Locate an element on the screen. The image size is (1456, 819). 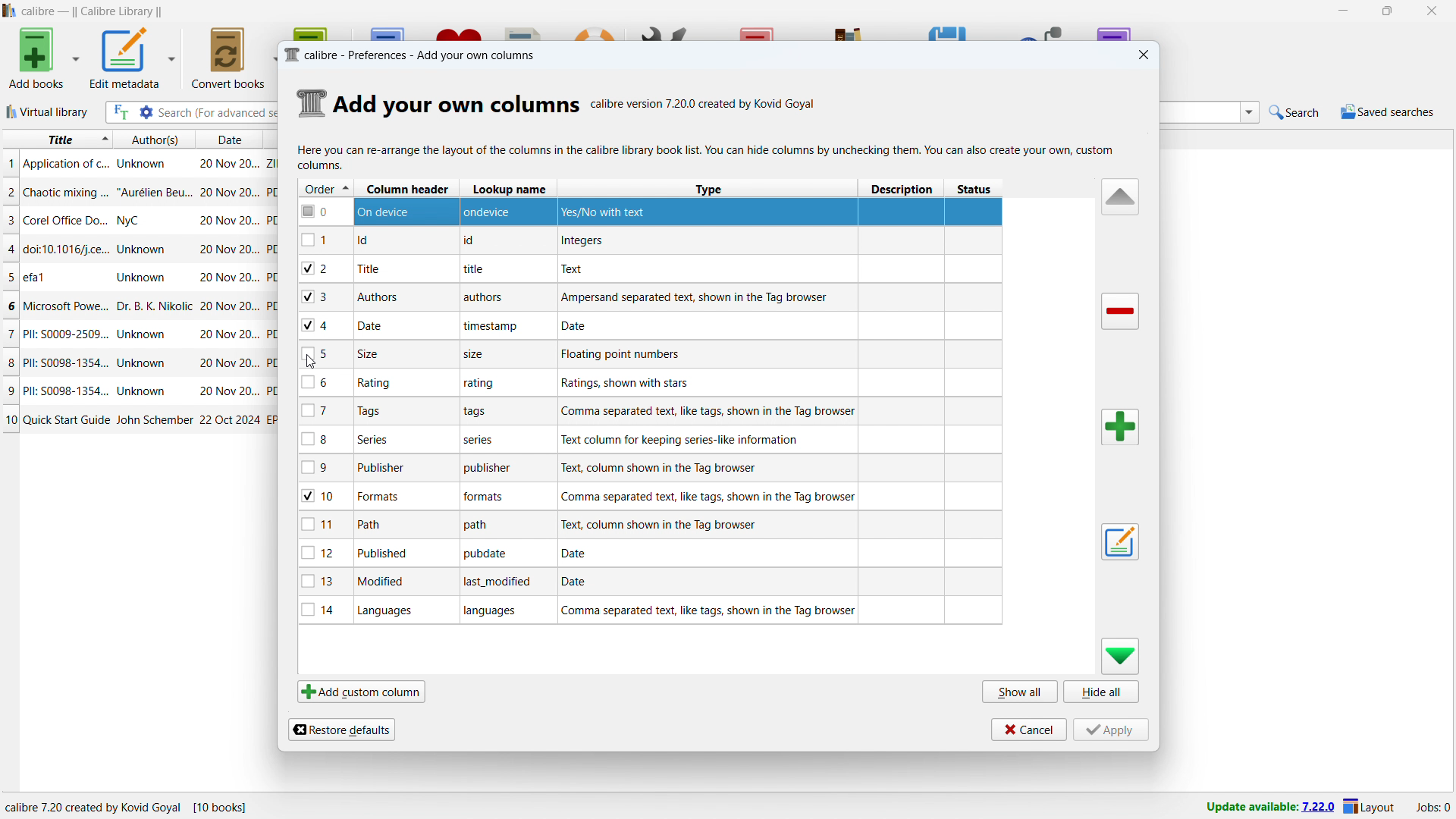
Integers is located at coordinates (582, 243).